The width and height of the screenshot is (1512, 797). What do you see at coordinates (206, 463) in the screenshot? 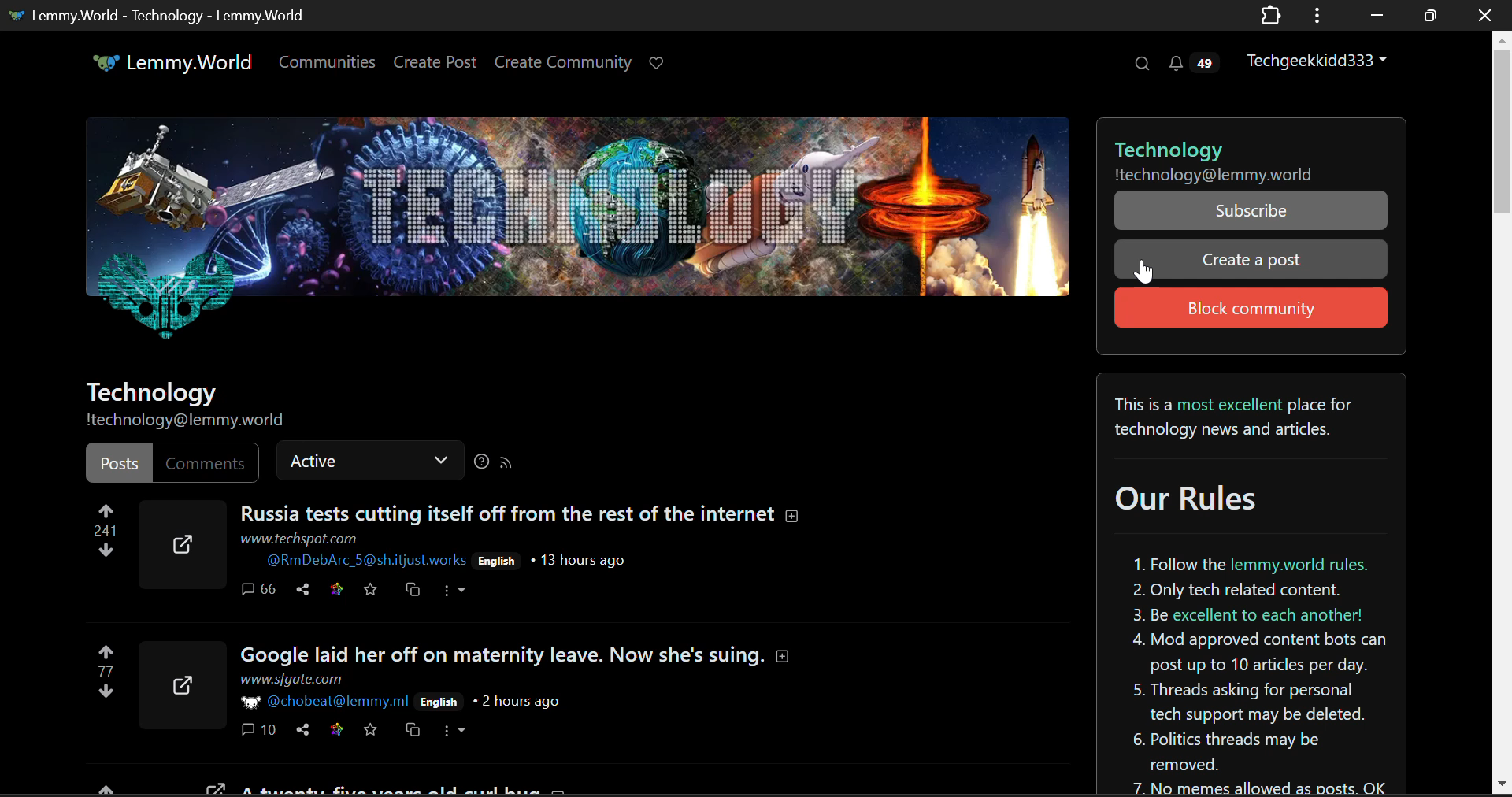
I see `Comments` at bounding box center [206, 463].